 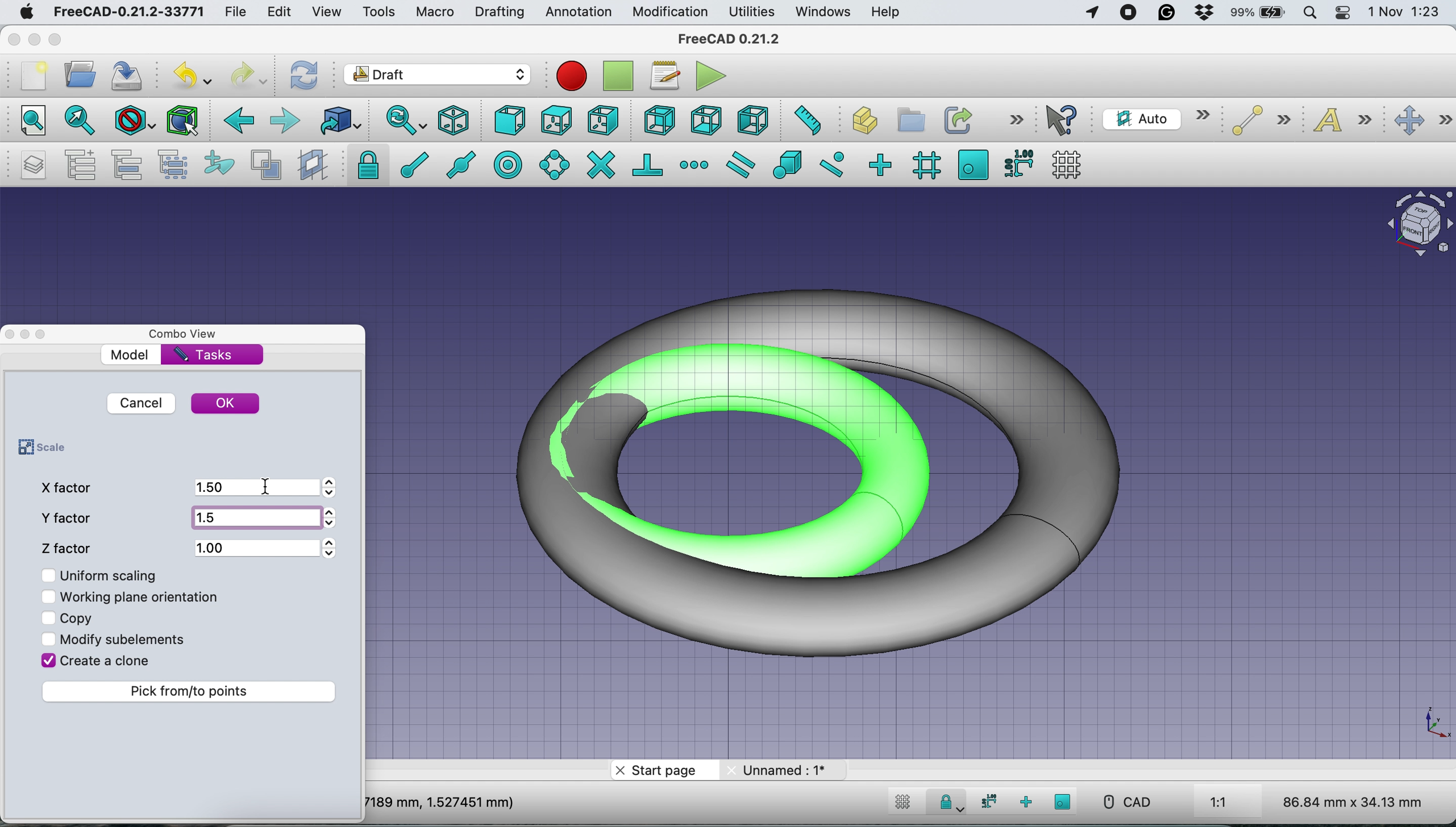 I want to click on help, so click(x=883, y=12).